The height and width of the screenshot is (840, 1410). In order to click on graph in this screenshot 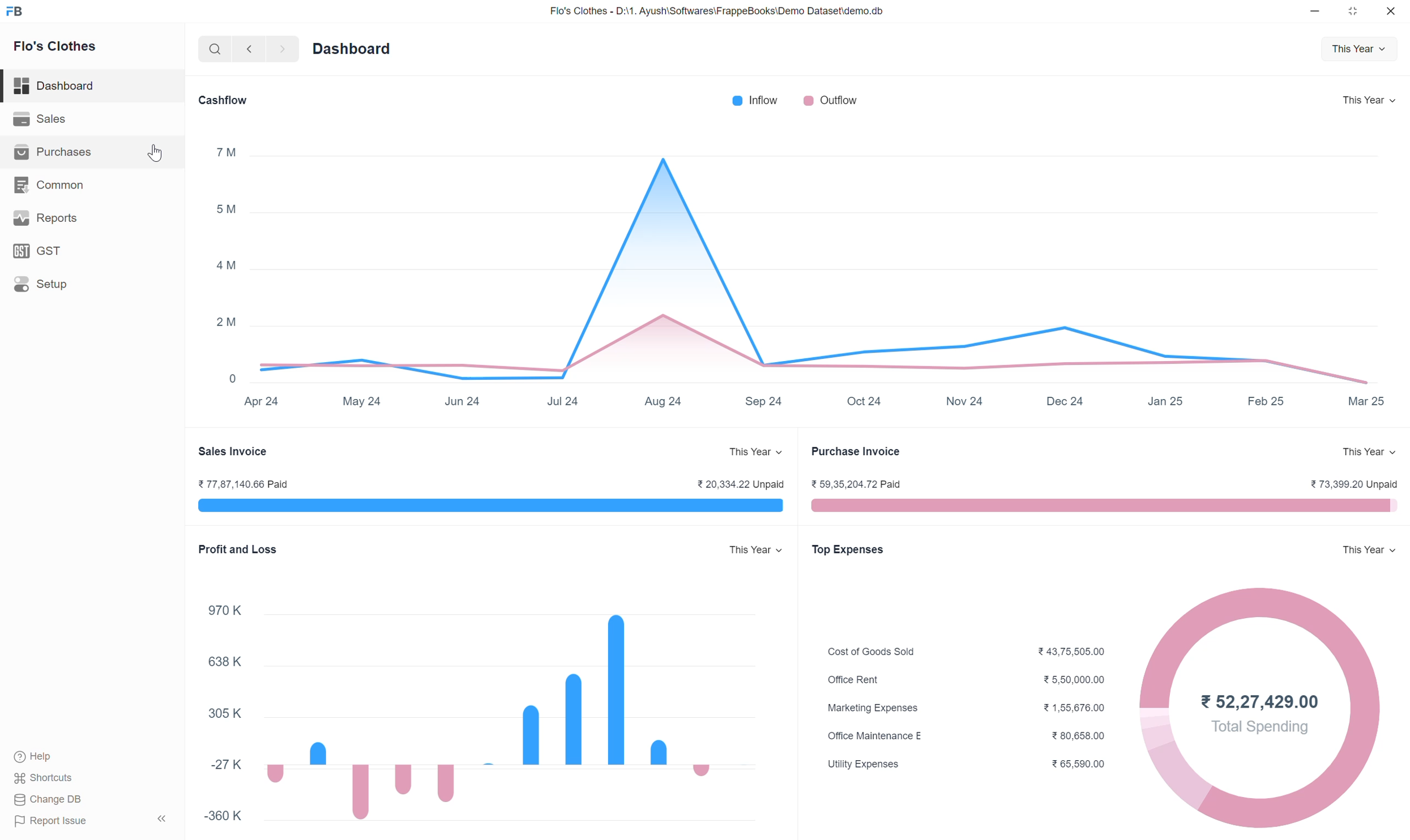, I will do `click(499, 709)`.